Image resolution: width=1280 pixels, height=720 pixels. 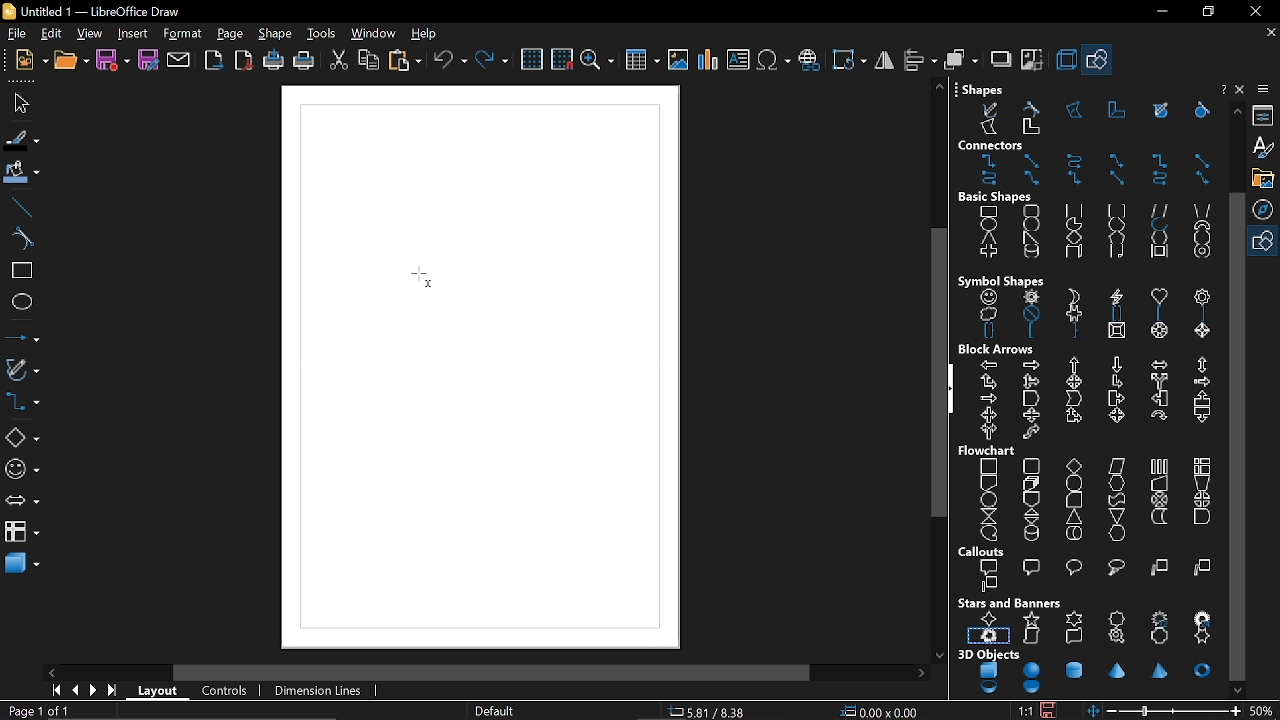 I want to click on 3d objects, so click(x=1086, y=673).